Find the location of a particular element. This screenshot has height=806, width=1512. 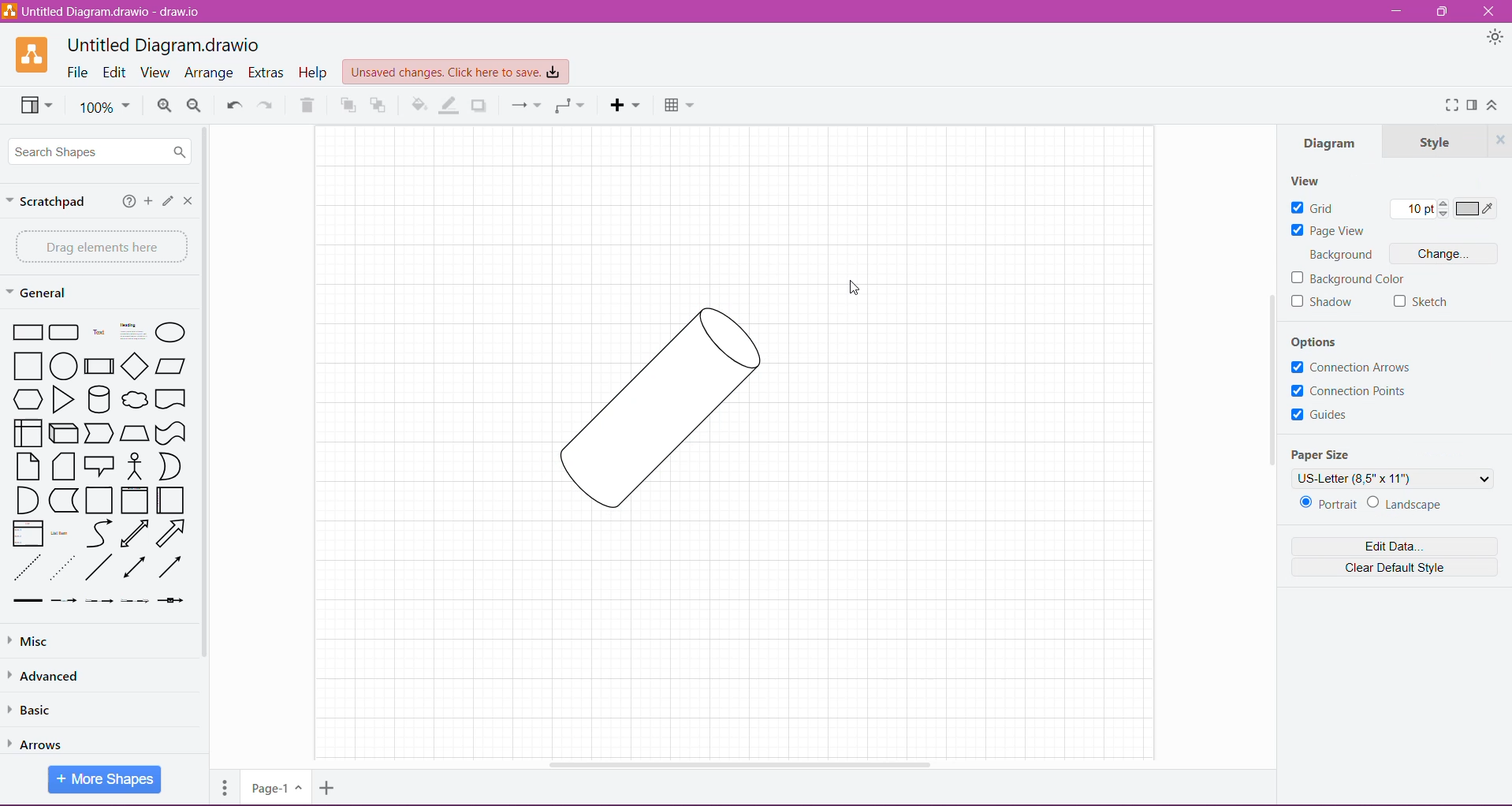

Fullscreen is located at coordinates (1451, 107).